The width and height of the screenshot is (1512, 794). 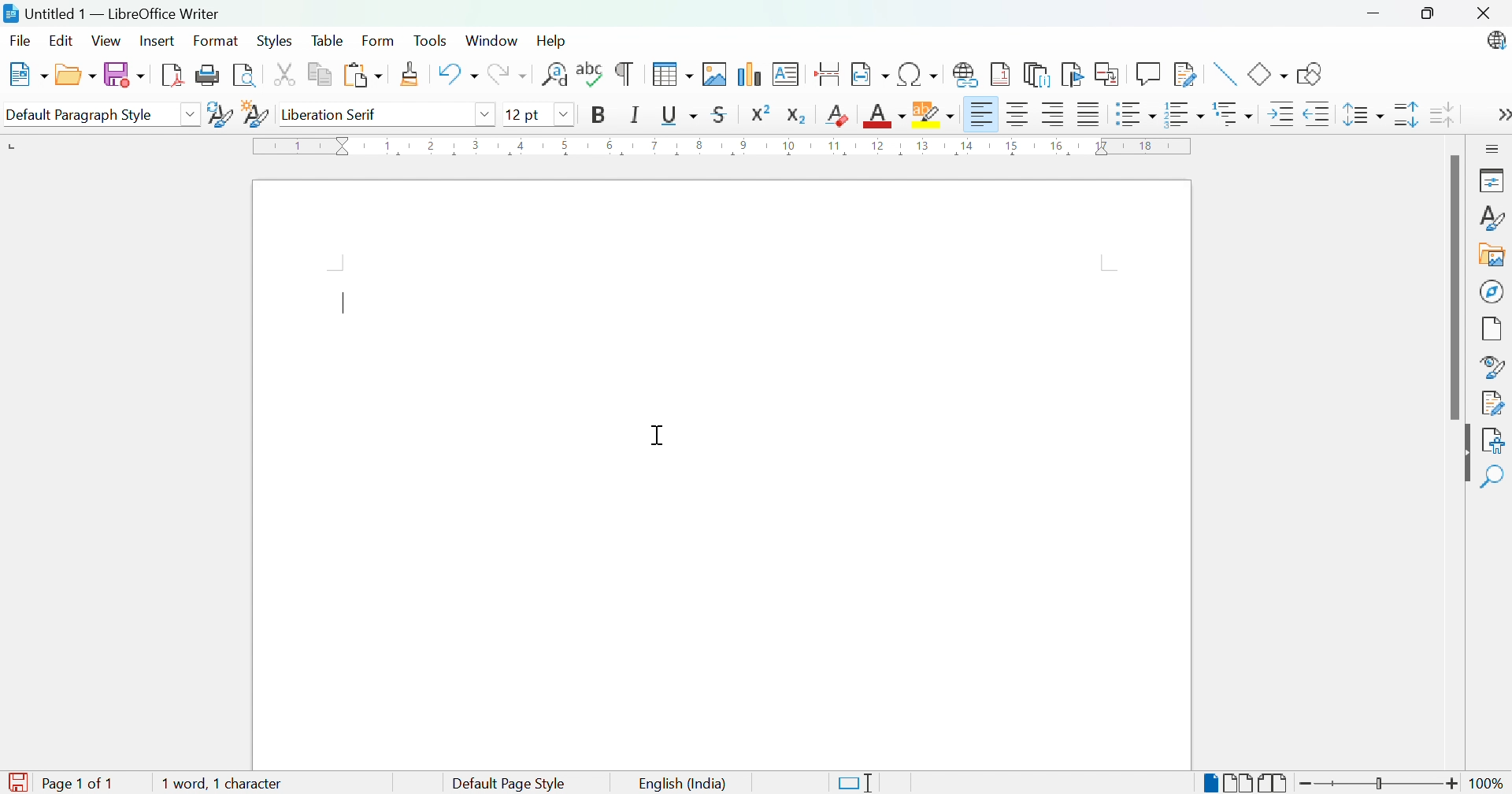 What do you see at coordinates (1308, 785) in the screenshot?
I see `Zoom out` at bounding box center [1308, 785].